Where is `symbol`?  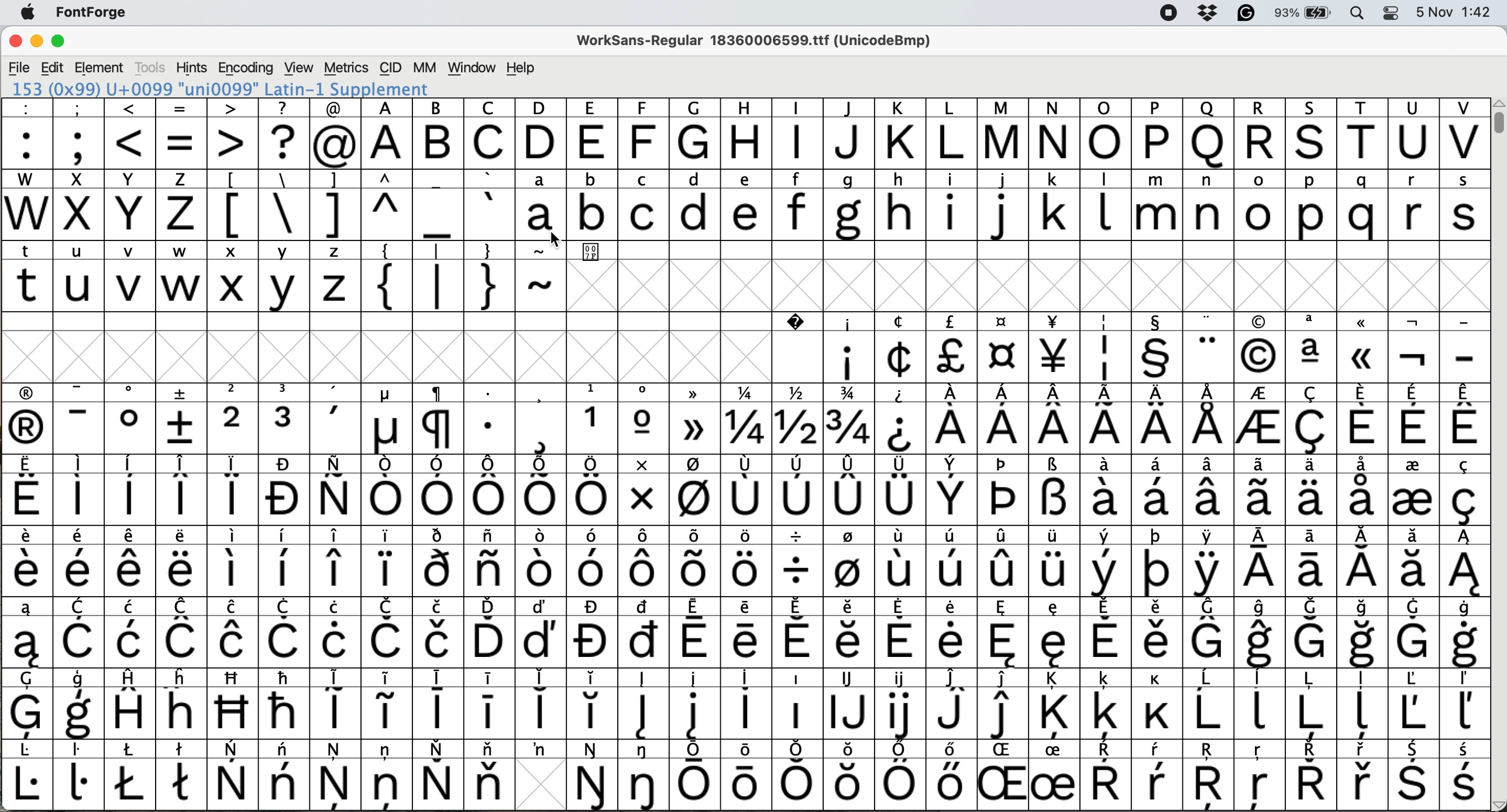 symbol is located at coordinates (1157, 347).